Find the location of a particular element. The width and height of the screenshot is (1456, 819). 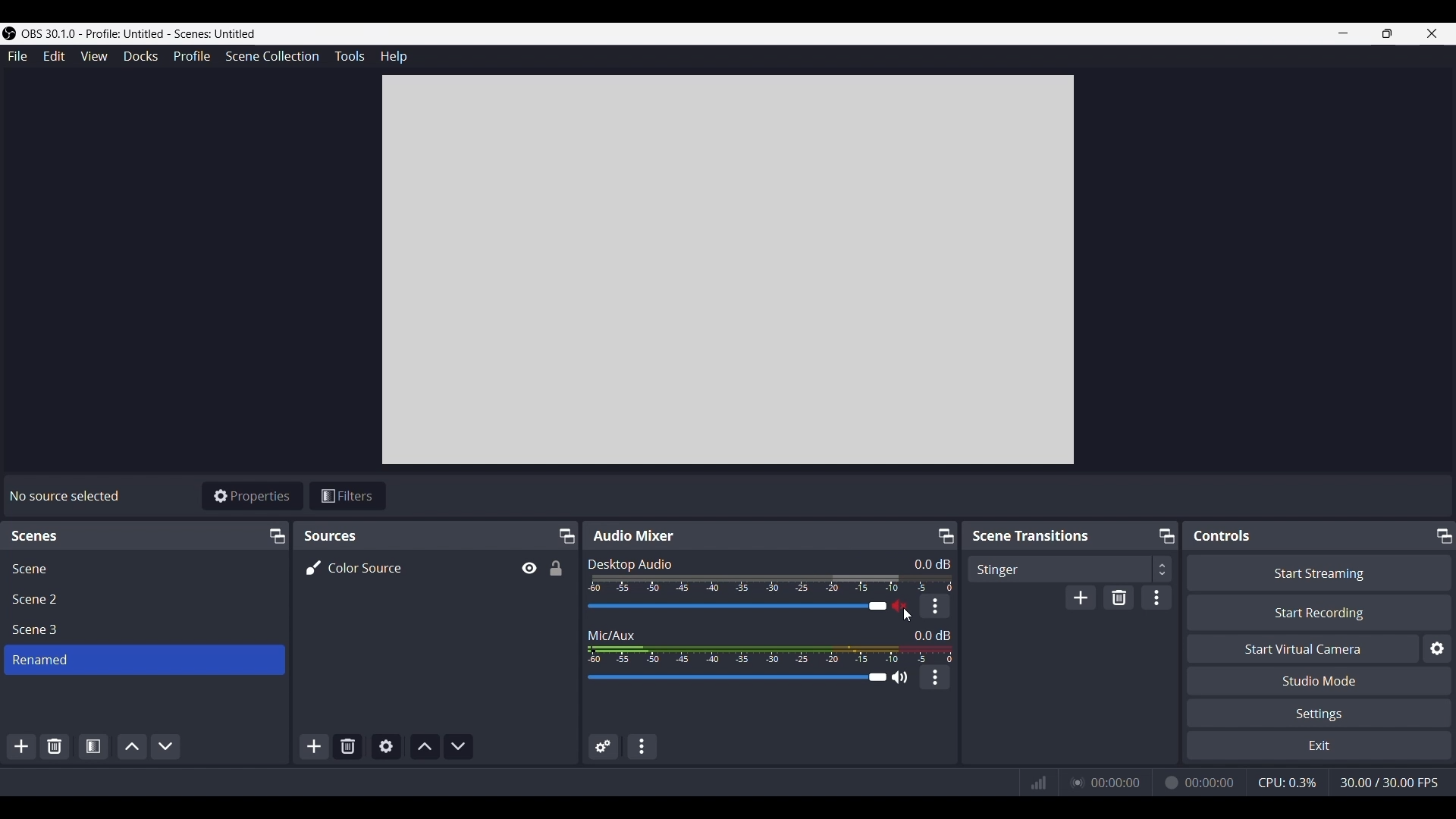

Open source properties is located at coordinates (385, 747).